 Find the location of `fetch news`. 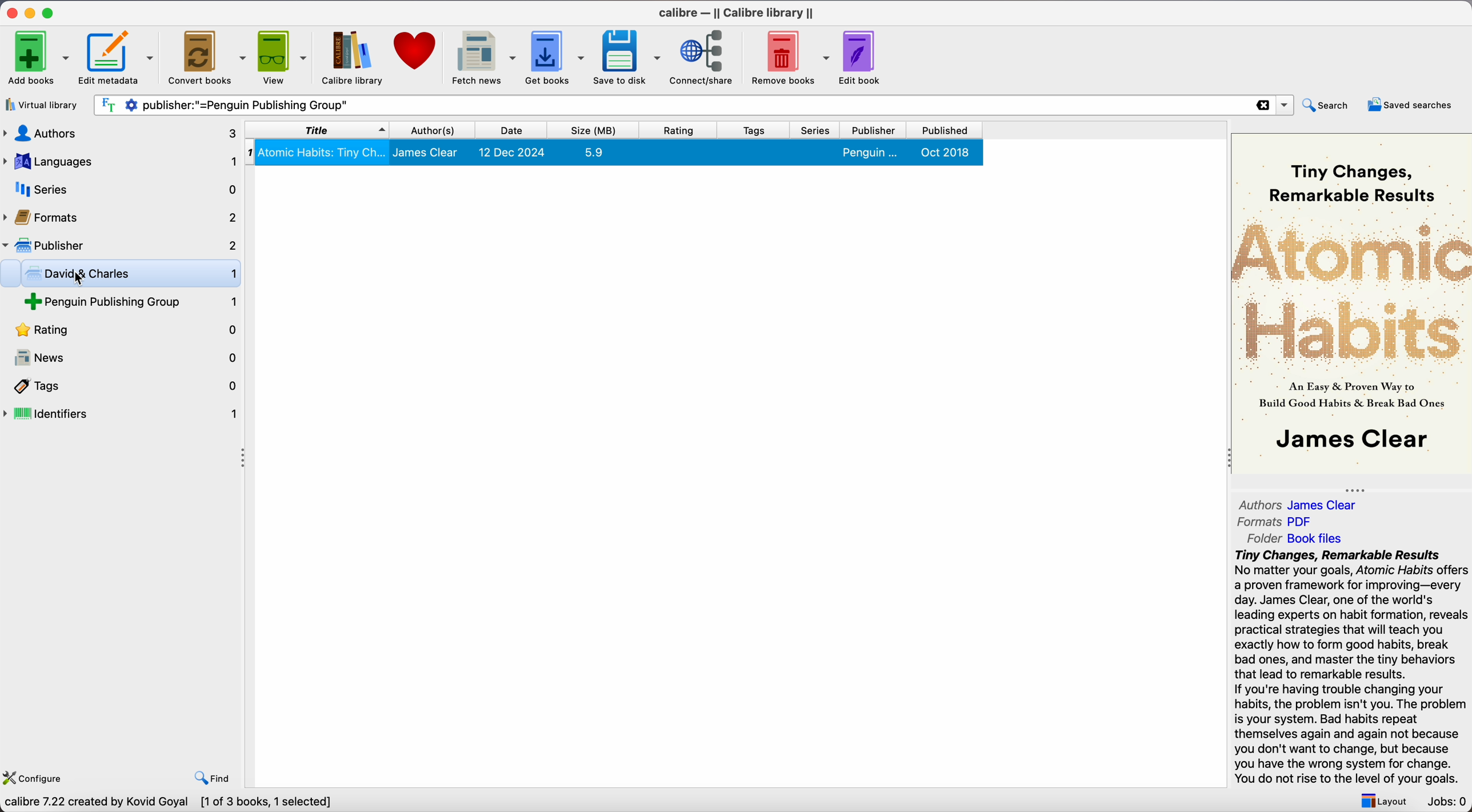

fetch news is located at coordinates (483, 58).